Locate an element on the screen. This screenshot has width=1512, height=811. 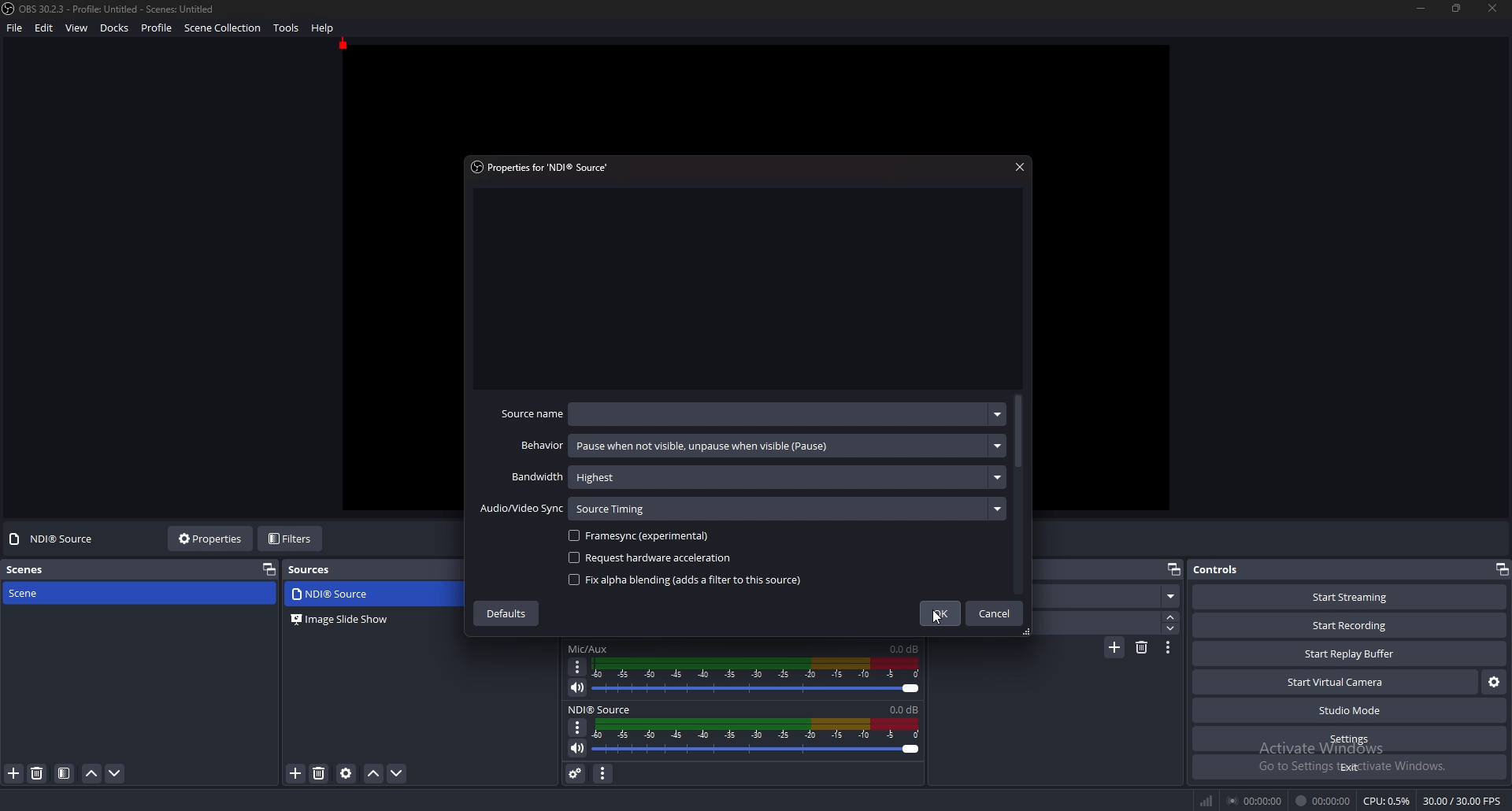
pop out is located at coordinates (1174, 569).